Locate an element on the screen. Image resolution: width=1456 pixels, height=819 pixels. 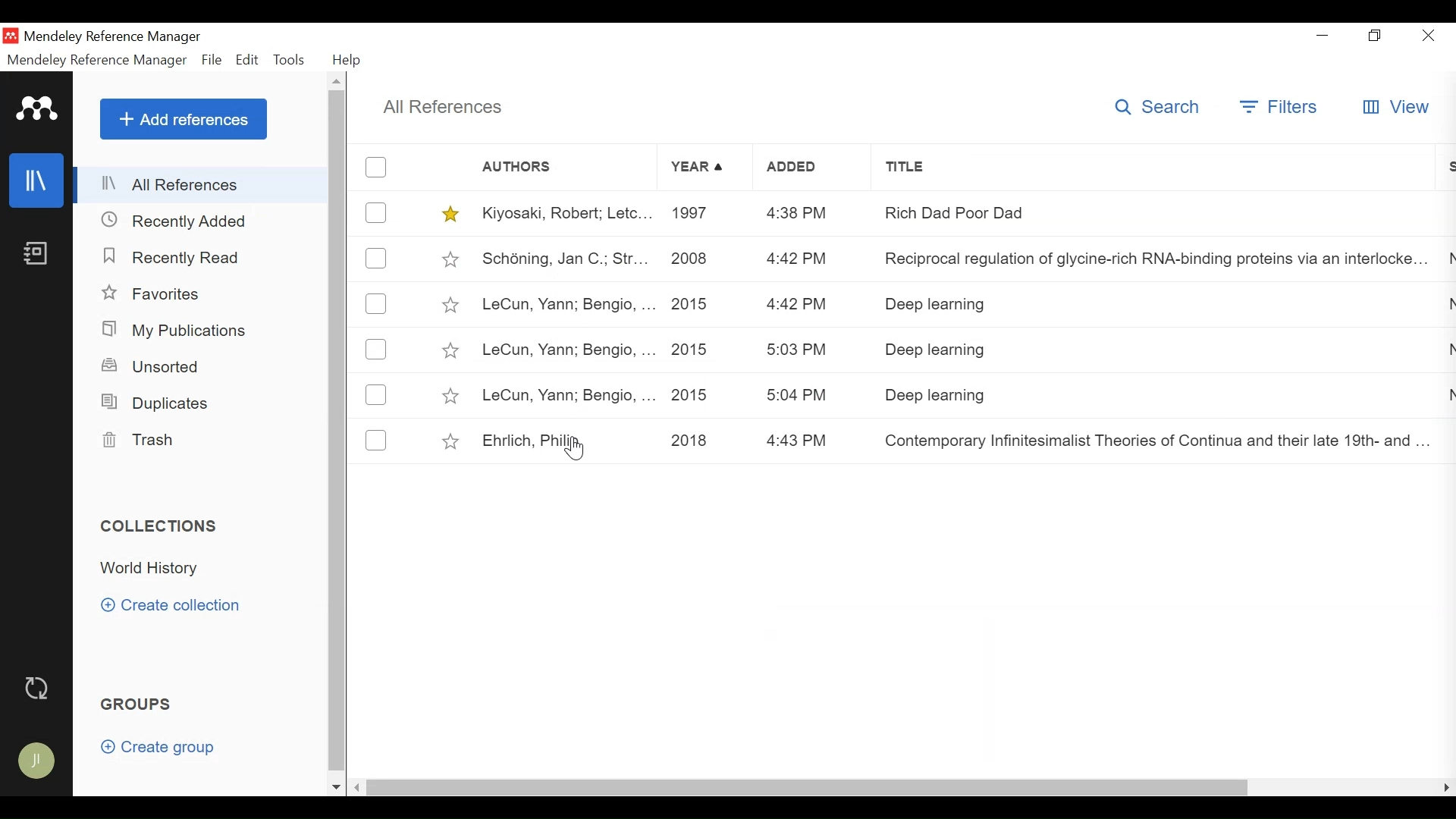
(un)select favorite is located at coordinates (447, 441).